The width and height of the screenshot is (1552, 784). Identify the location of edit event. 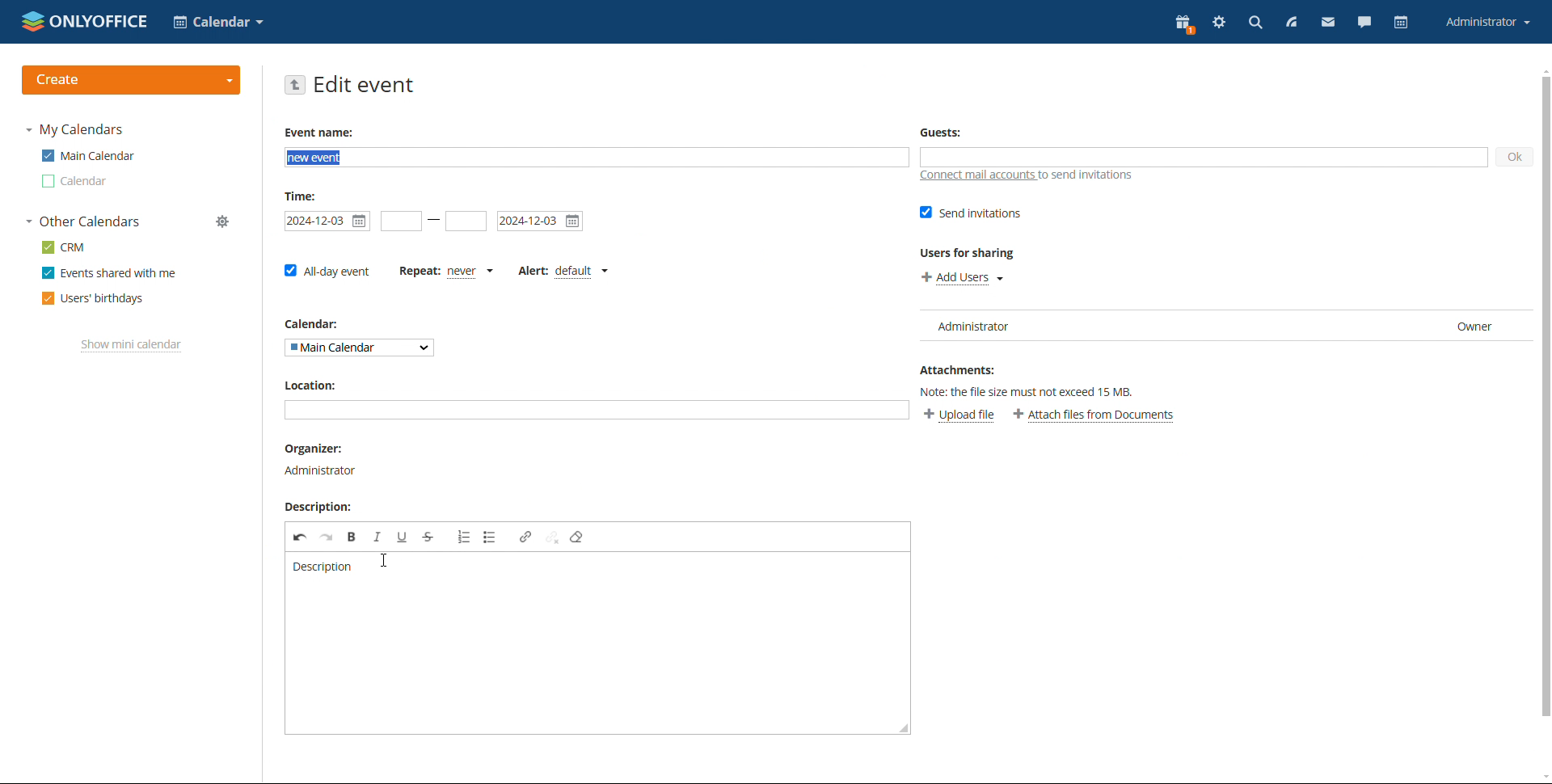
(365, 85).